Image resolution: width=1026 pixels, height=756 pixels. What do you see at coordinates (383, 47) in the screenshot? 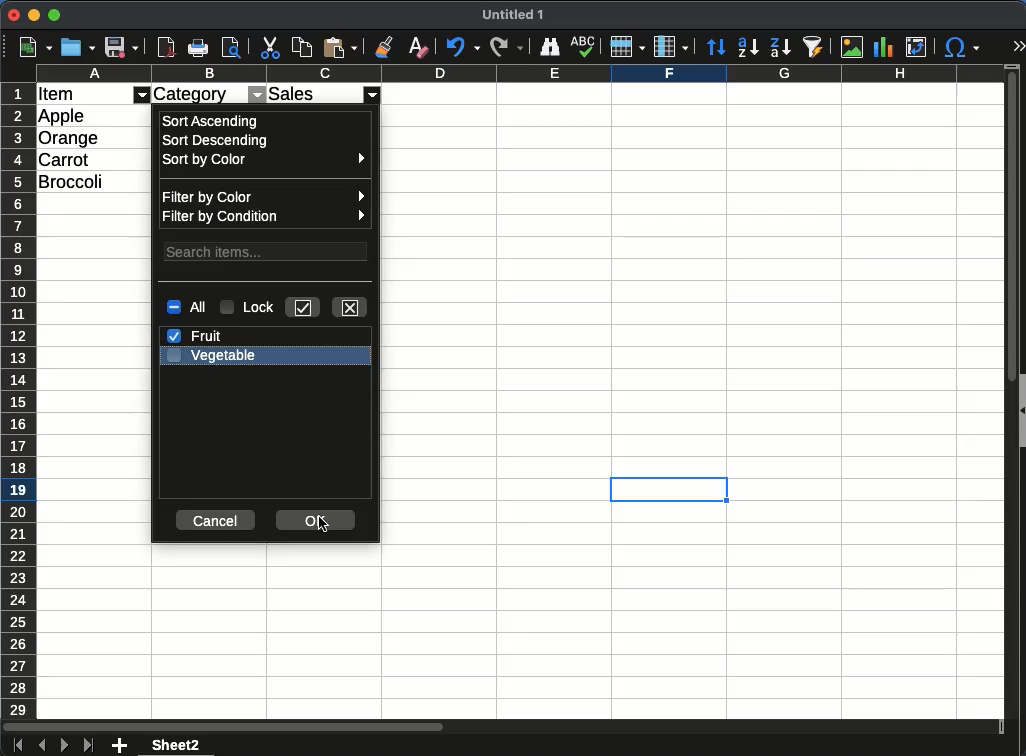
I see `clone formatting` at bounding box center [383, 47].